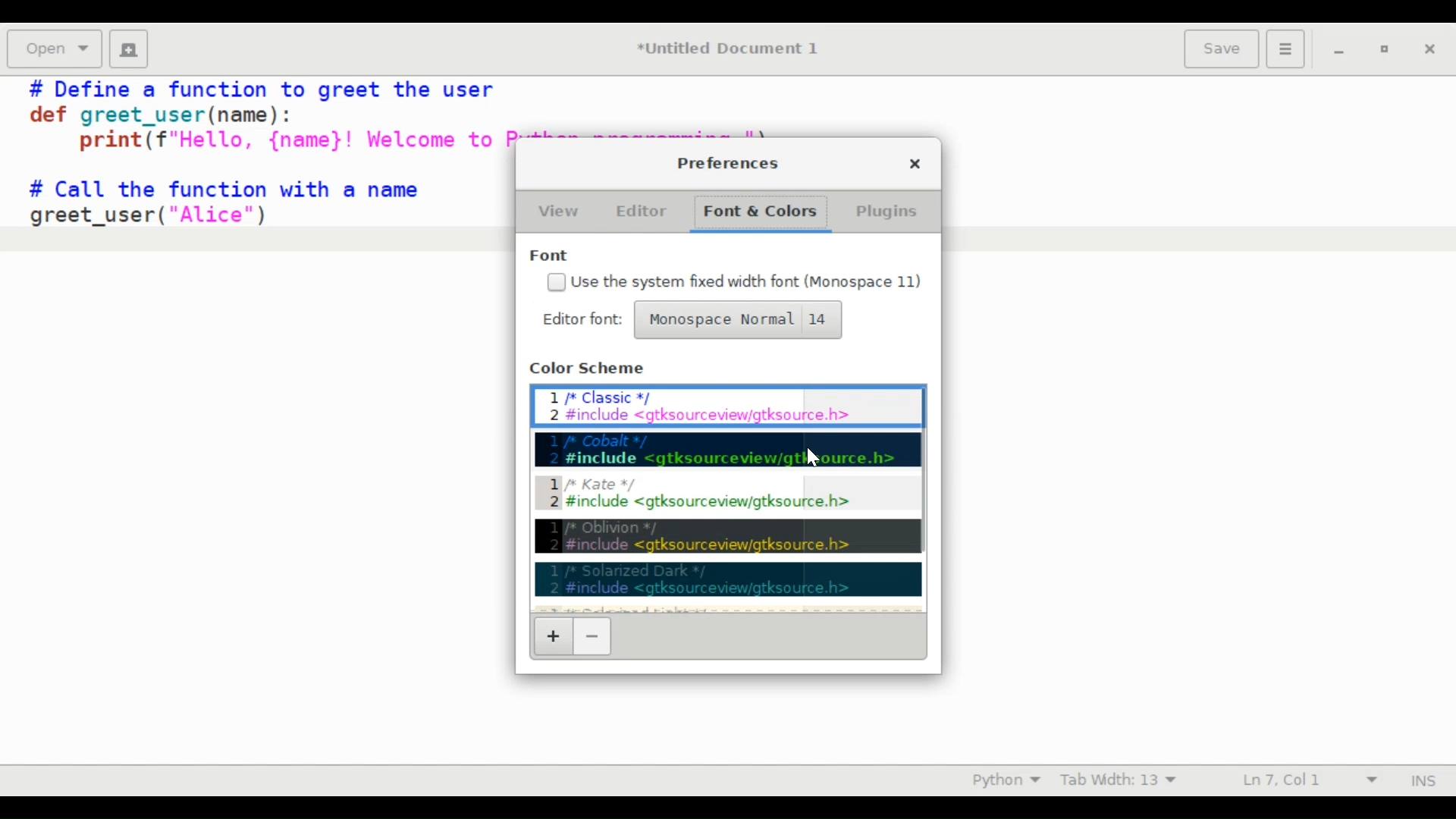  I want to click on Classic, so click(729, 404).